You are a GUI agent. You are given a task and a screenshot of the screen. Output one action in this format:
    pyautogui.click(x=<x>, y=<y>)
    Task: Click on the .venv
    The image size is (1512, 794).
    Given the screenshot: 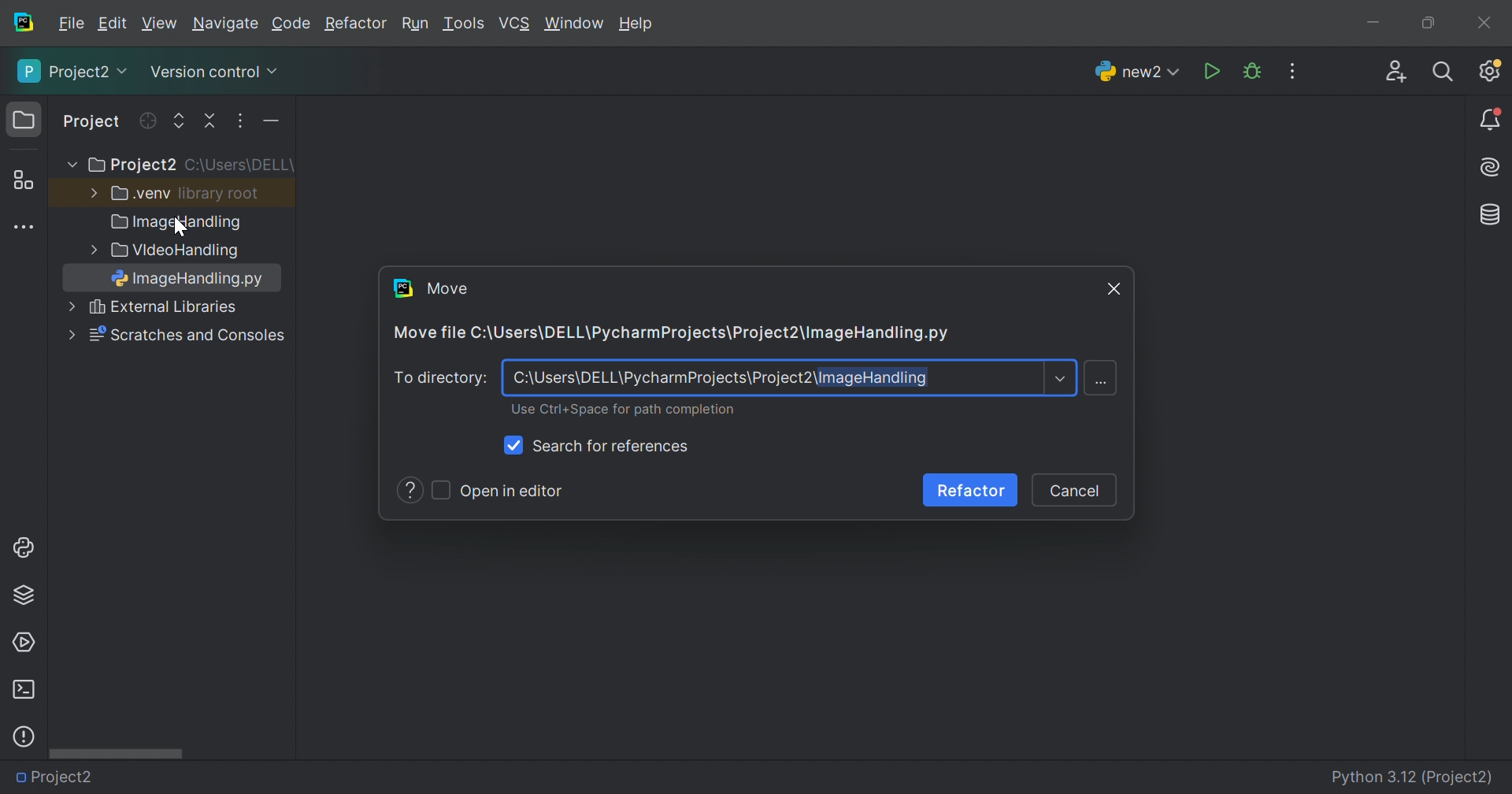 What is the action you would take?
    pyautogui.click(x=141, y=194)
    